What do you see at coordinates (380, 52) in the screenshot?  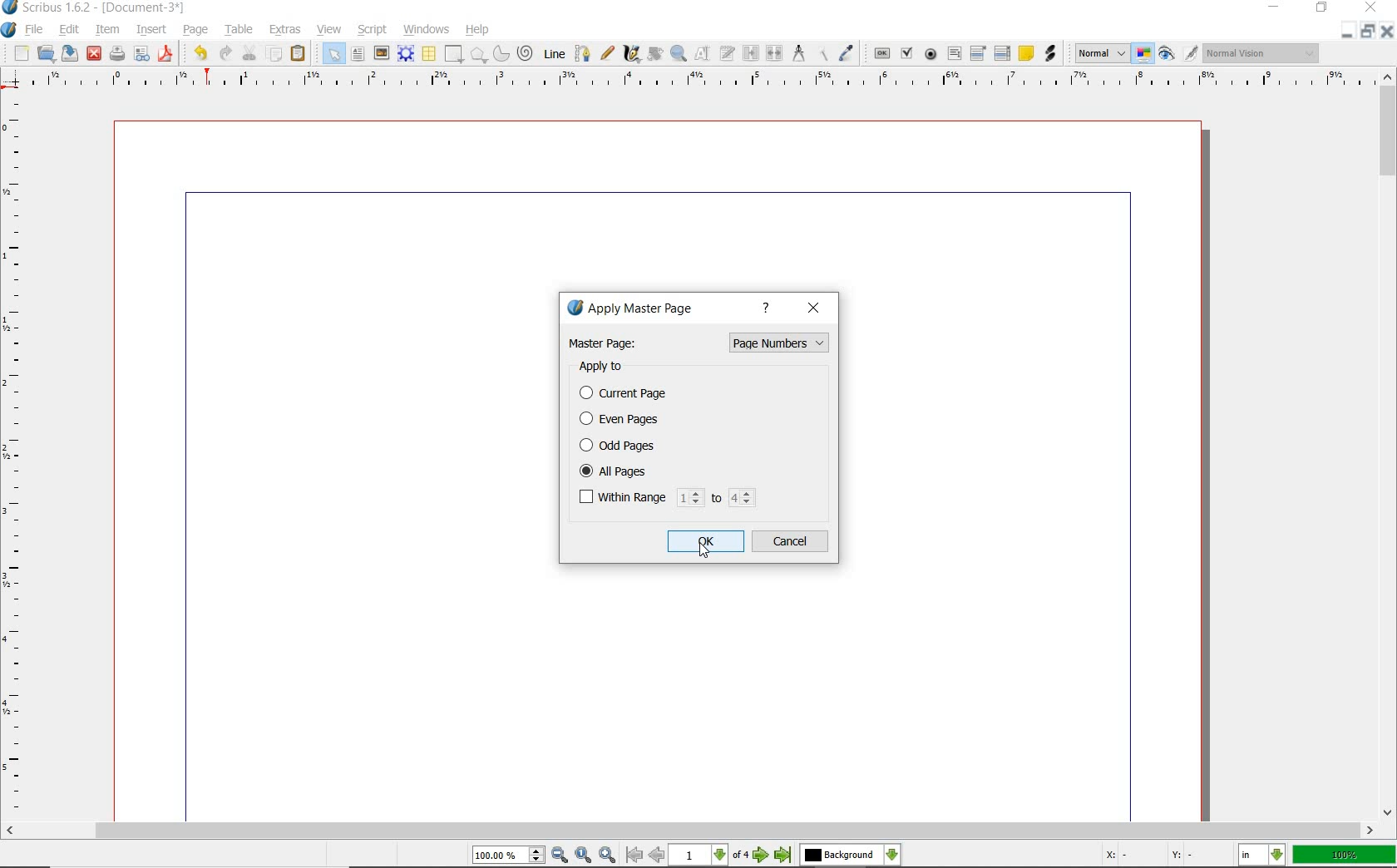 I see `image frame` at bounding box center [380, 52].